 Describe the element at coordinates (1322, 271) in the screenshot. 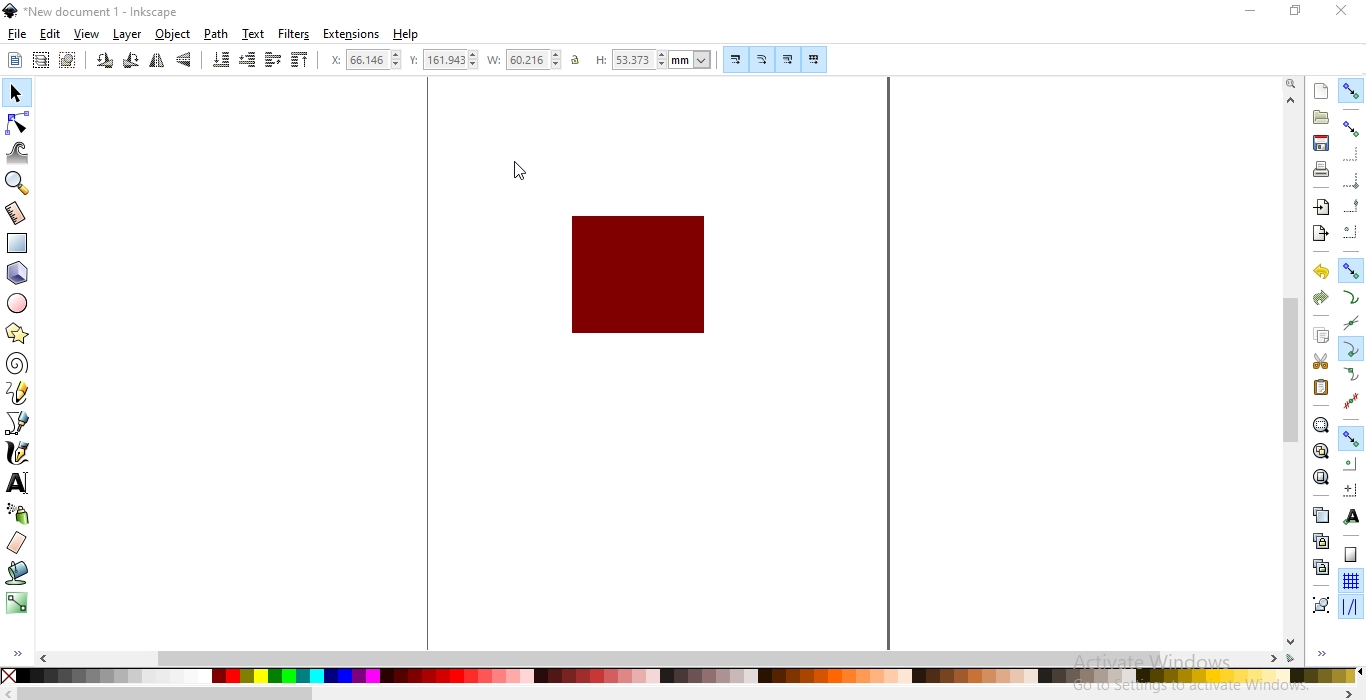

I see `undo an action` at that location.